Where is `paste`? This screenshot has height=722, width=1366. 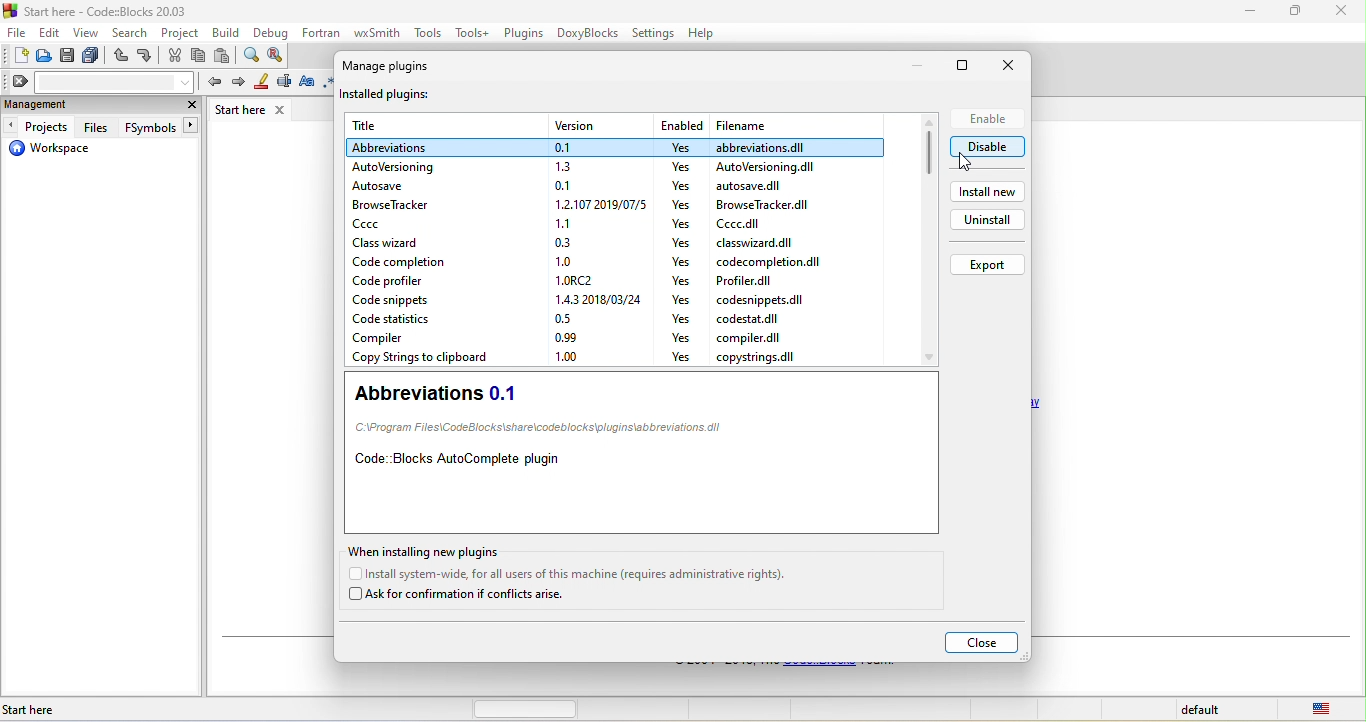 paste is located at coordinates (226, 56).